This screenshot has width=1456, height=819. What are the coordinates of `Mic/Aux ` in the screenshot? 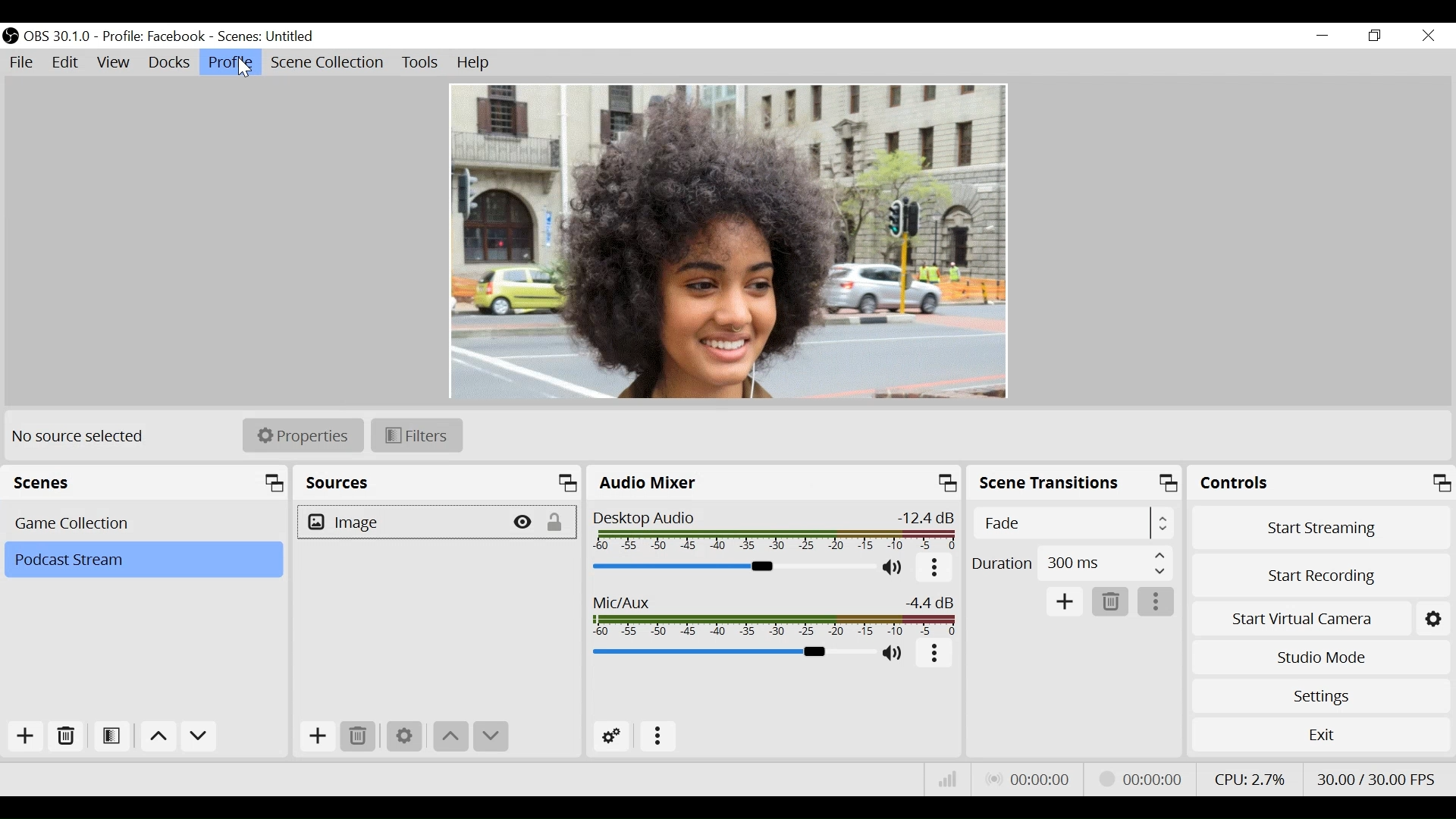 It's located at (773, 615).